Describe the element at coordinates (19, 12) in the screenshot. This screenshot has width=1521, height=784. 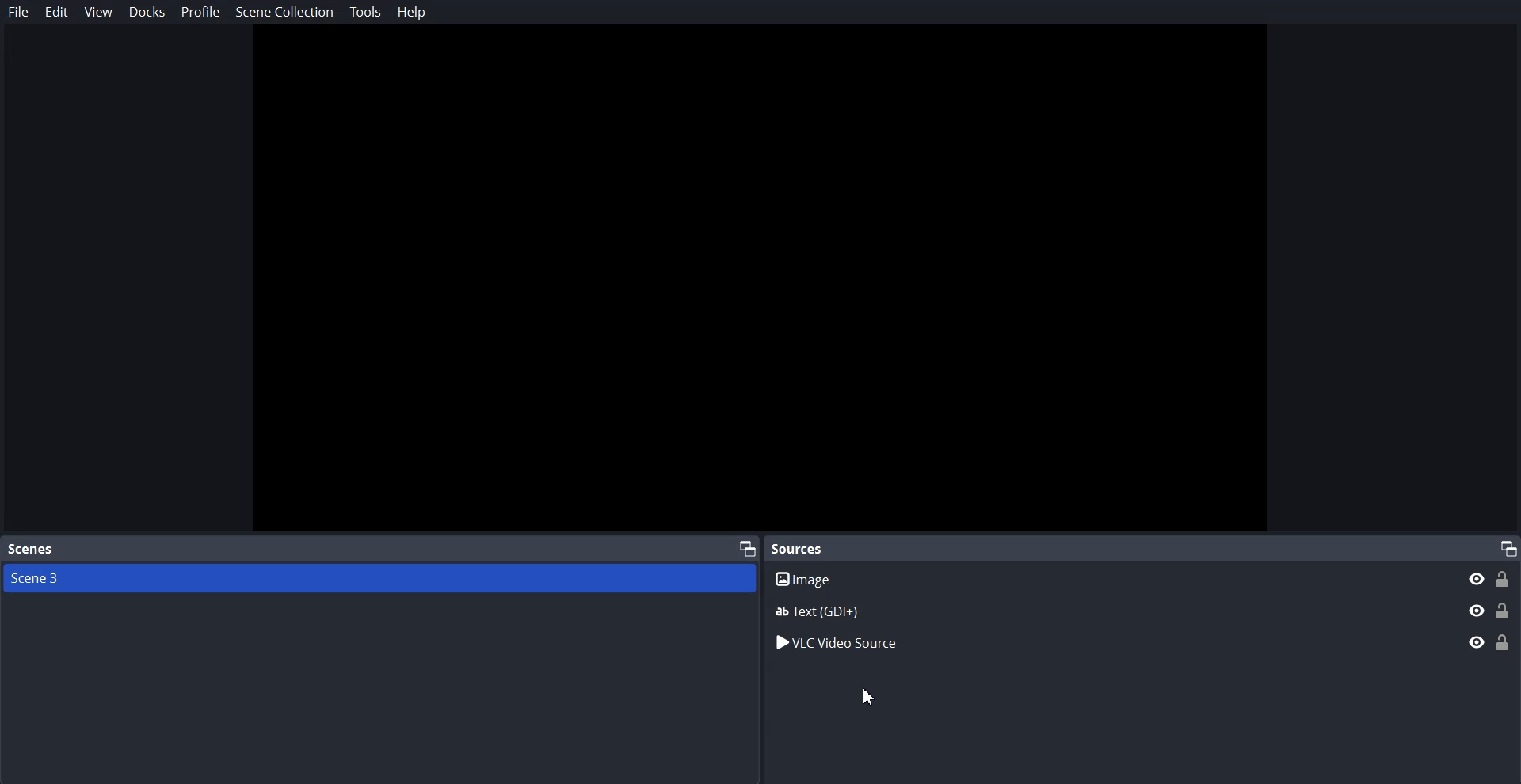
I see `File` at that location.